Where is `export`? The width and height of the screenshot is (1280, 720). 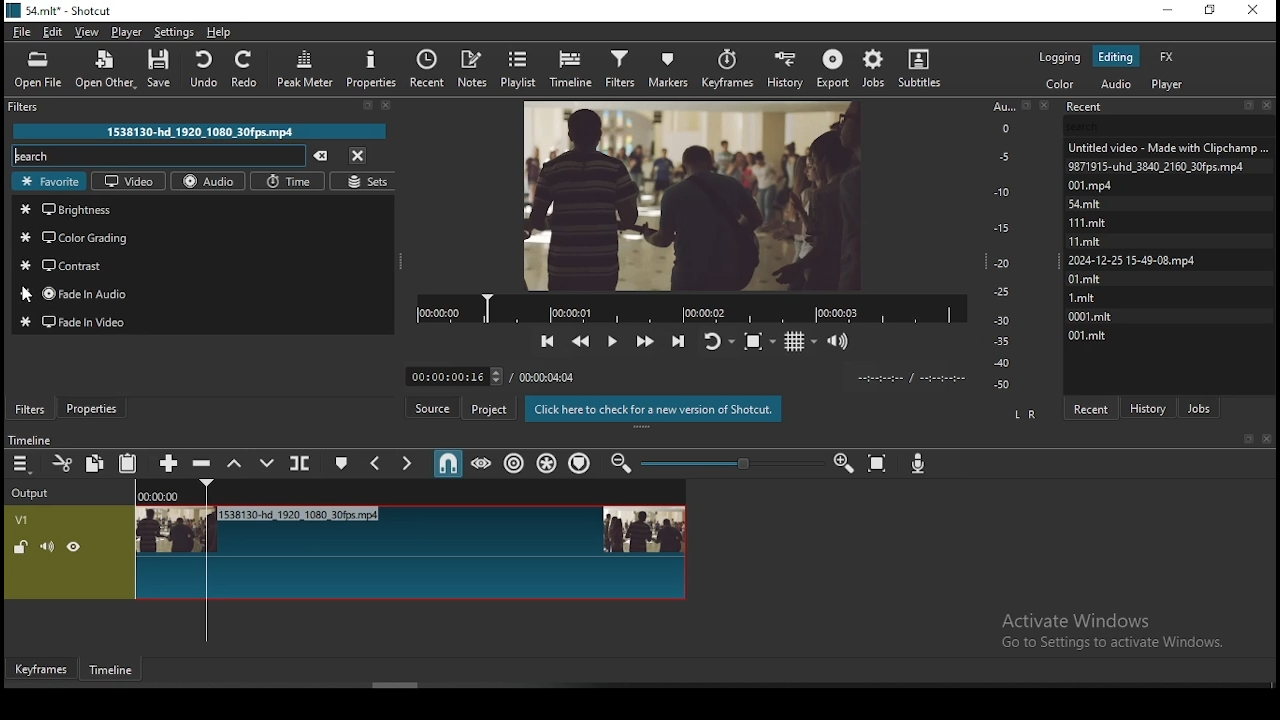
export is located at coordinates (835, 67).